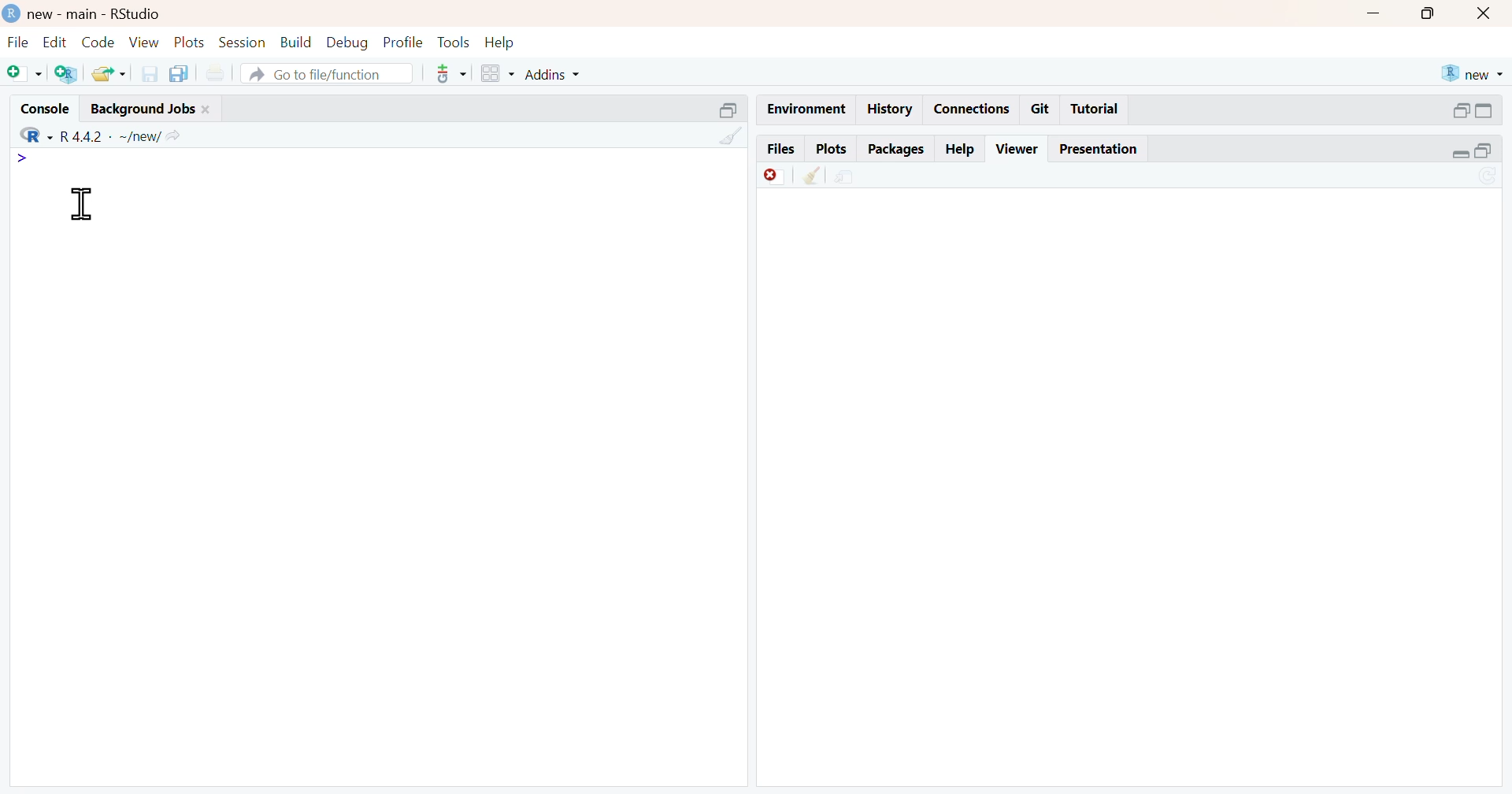 This screenshot has height=794, width=1512. Describe the element at coordinates (150, 110) in the screenshot. I see `background jobs` at that location.